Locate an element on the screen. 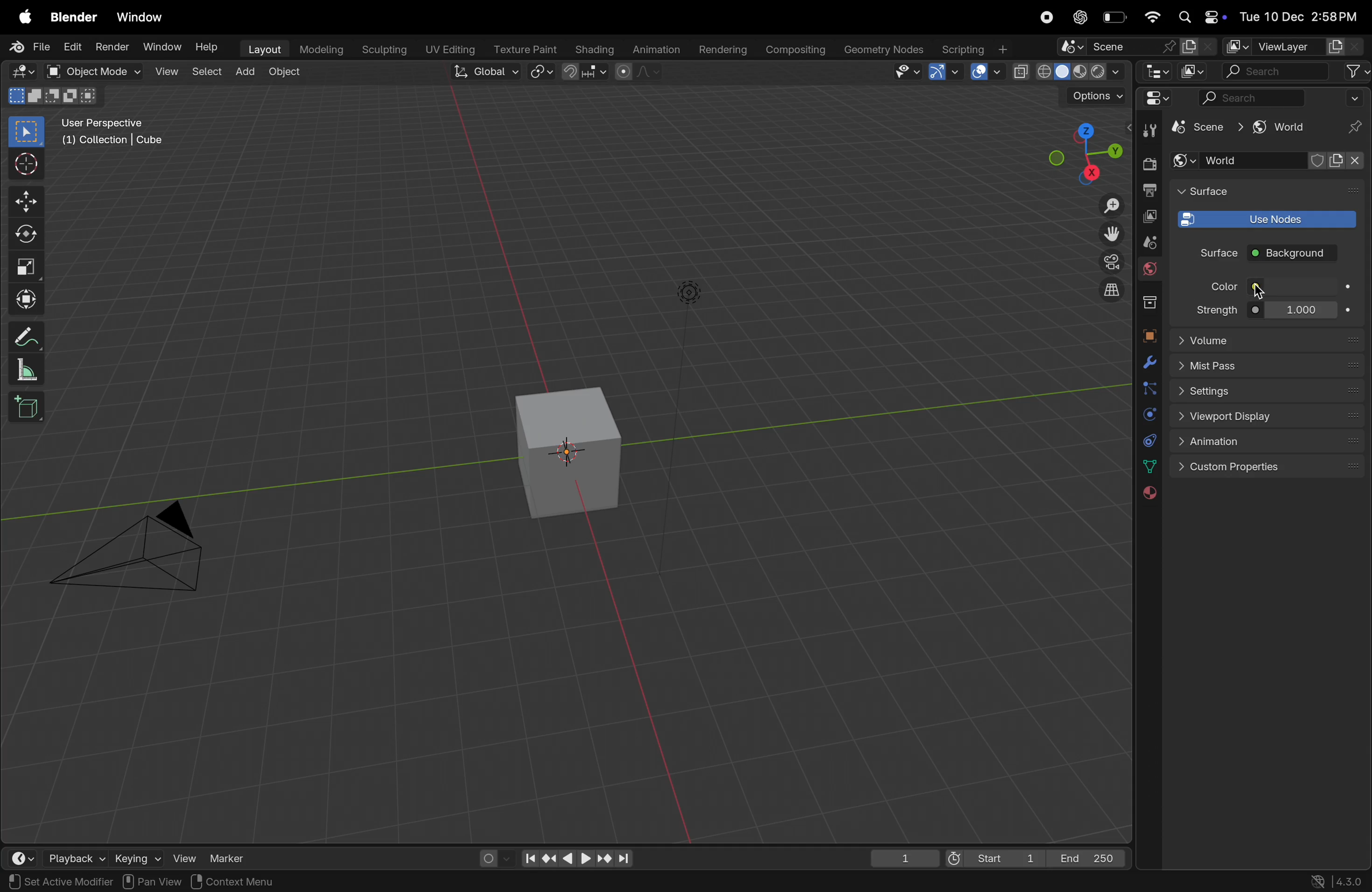 This screenshot has width=1372, height=892. Render is located at coordinates (111, 48).